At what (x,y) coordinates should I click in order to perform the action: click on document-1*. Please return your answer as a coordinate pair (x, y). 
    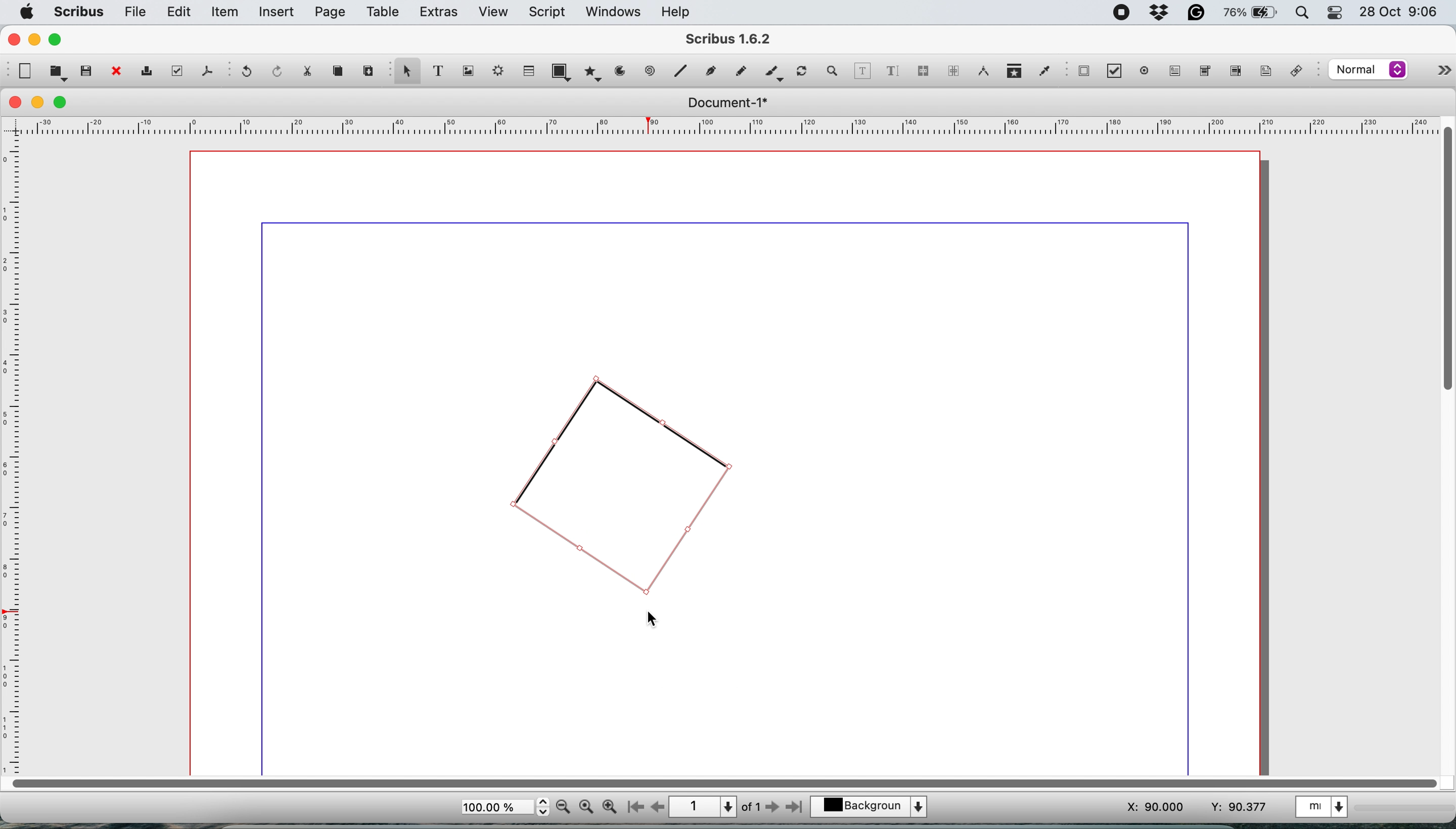
    Looking at the image, I should click on (724, 103).